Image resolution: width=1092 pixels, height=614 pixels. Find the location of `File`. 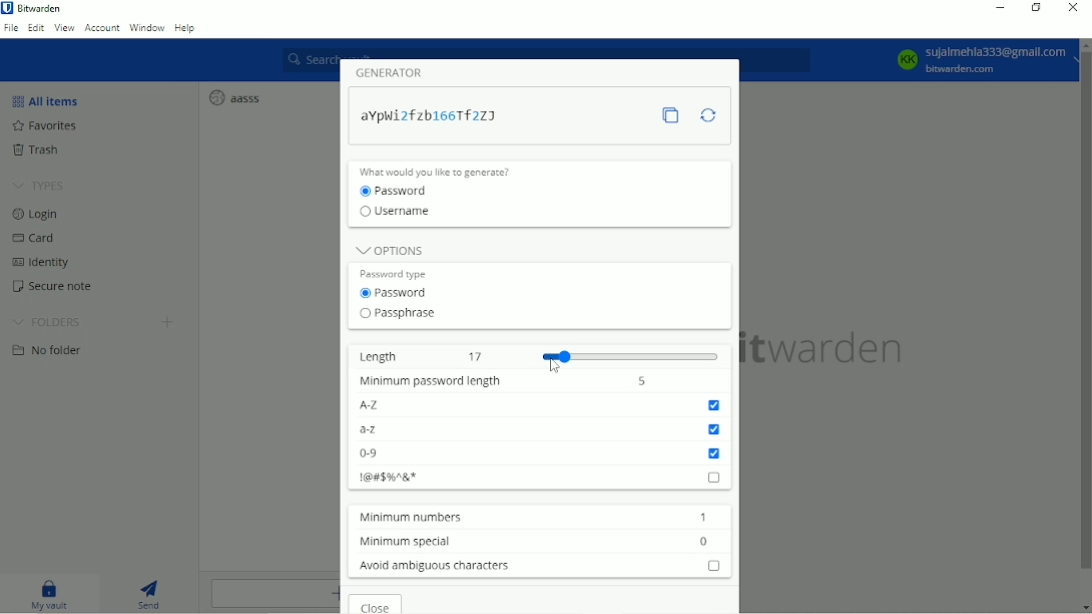

File is located at coordinates (12, 29).